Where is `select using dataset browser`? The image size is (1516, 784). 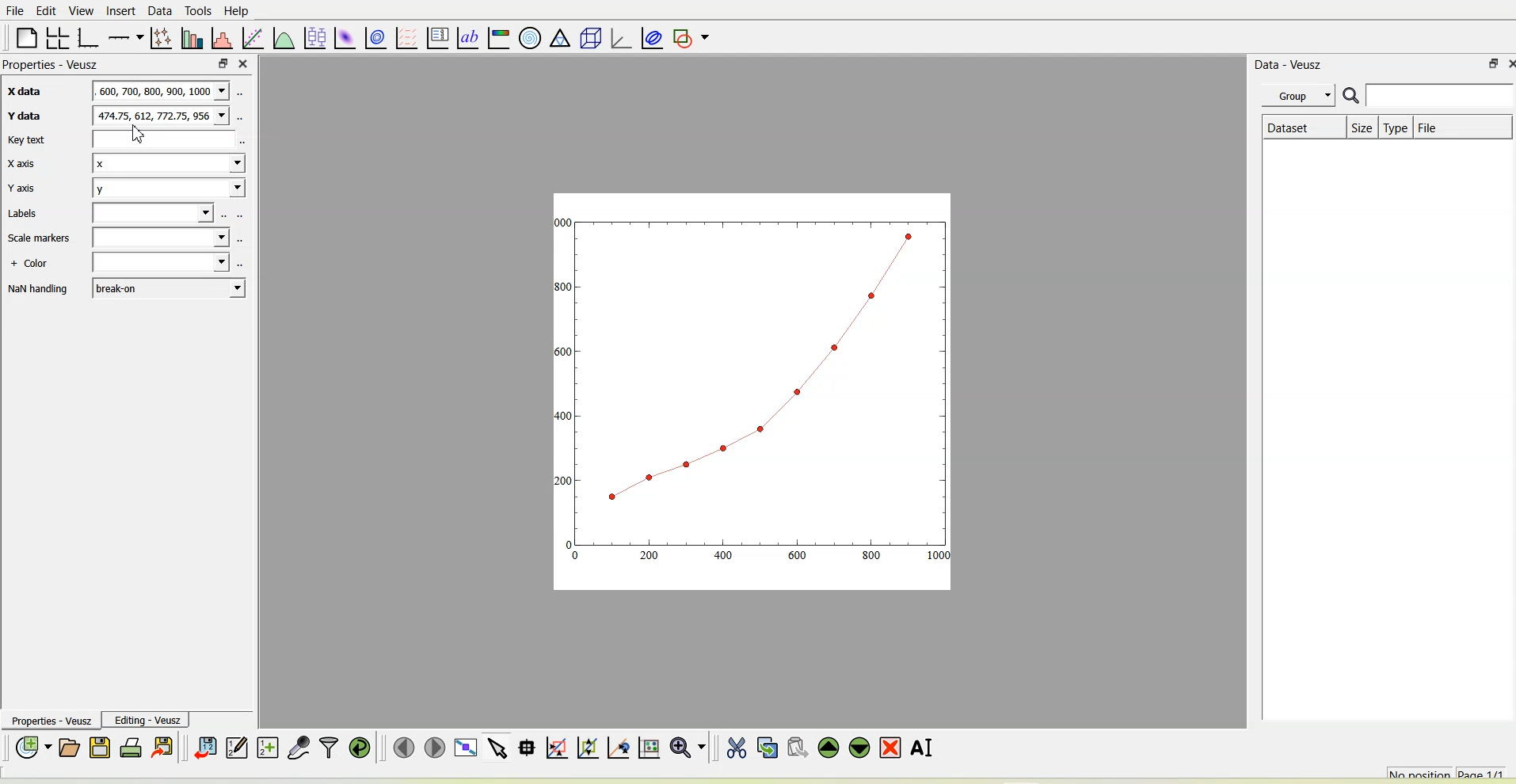
select using dataset browser is located at coordinates (244, 141).